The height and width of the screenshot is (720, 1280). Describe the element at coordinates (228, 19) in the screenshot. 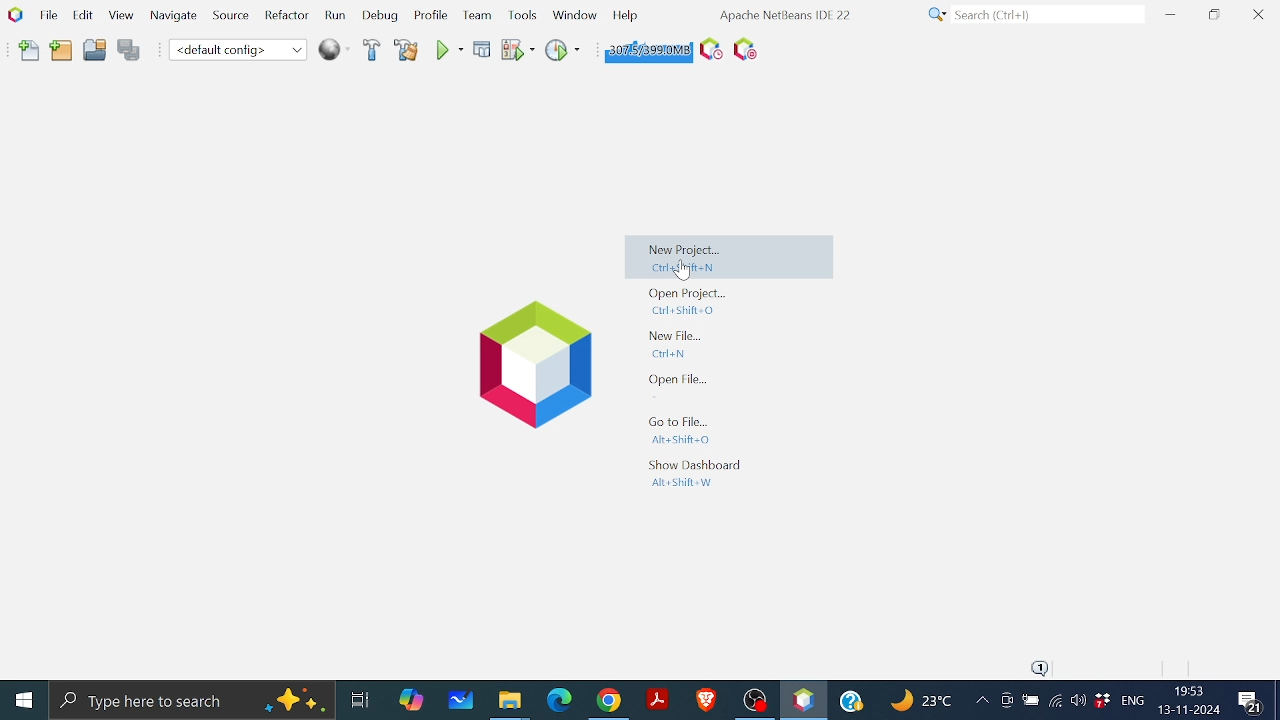

I see `Source` at that location.